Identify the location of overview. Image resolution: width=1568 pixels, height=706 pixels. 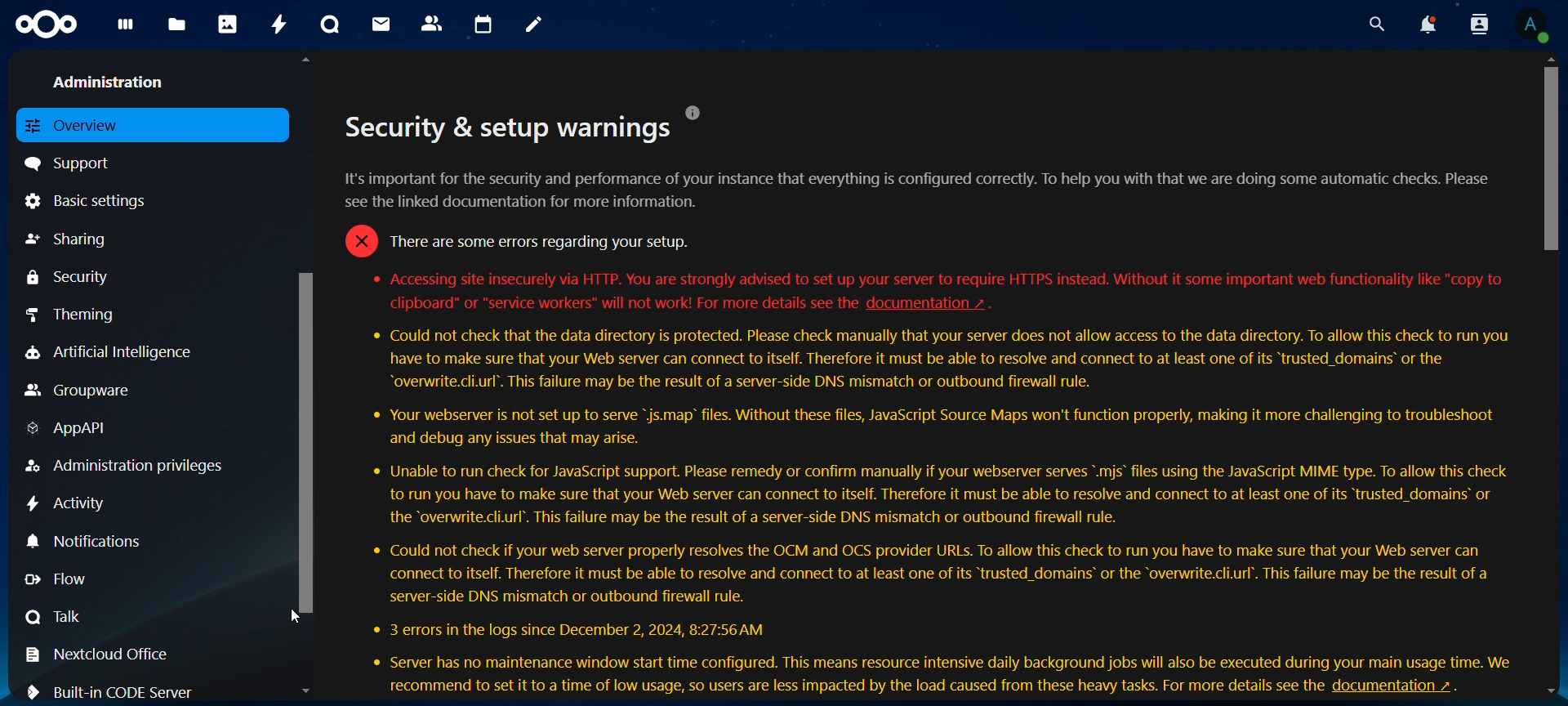
(80, 124).